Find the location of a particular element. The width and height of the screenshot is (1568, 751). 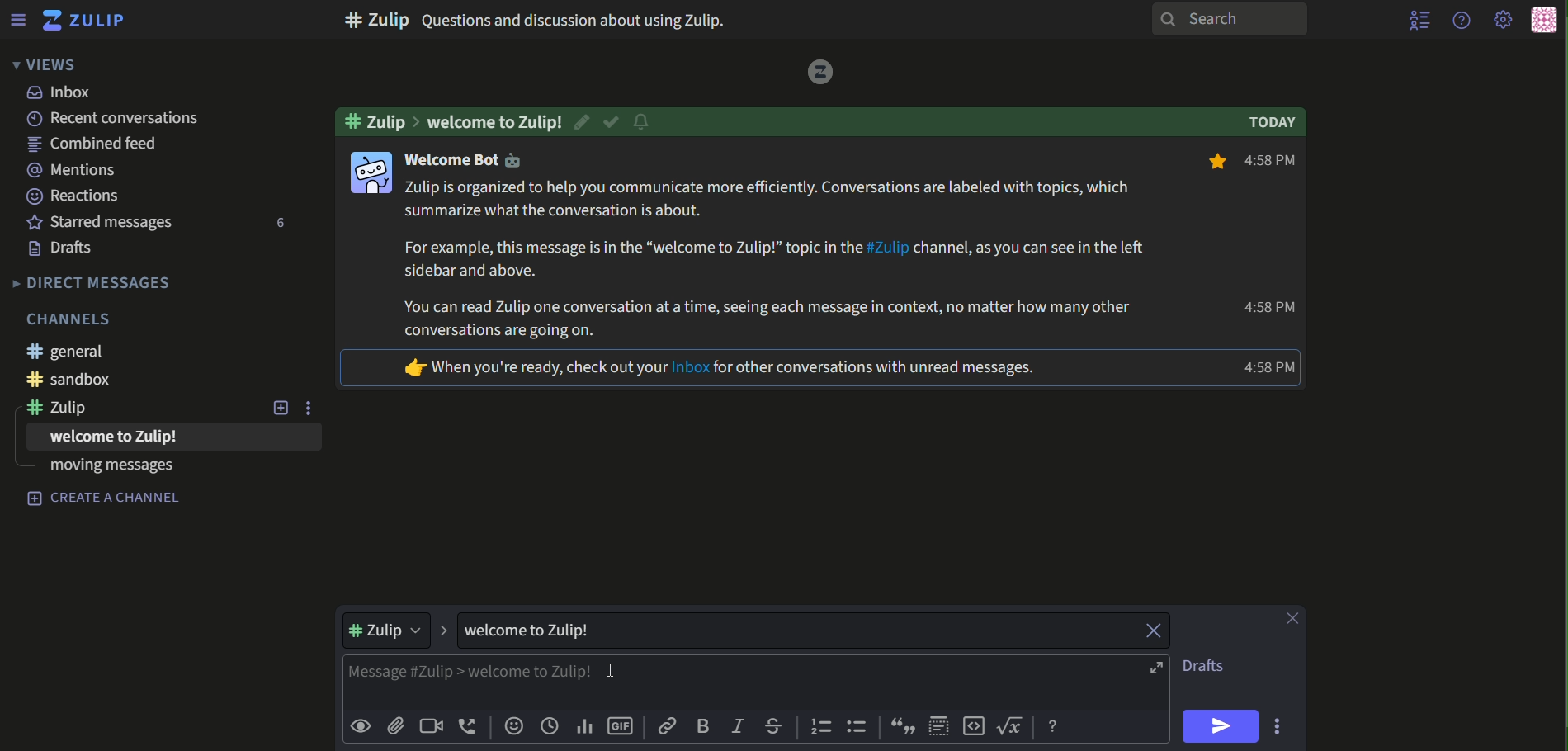

add global time is located at coordinates (550, 727).